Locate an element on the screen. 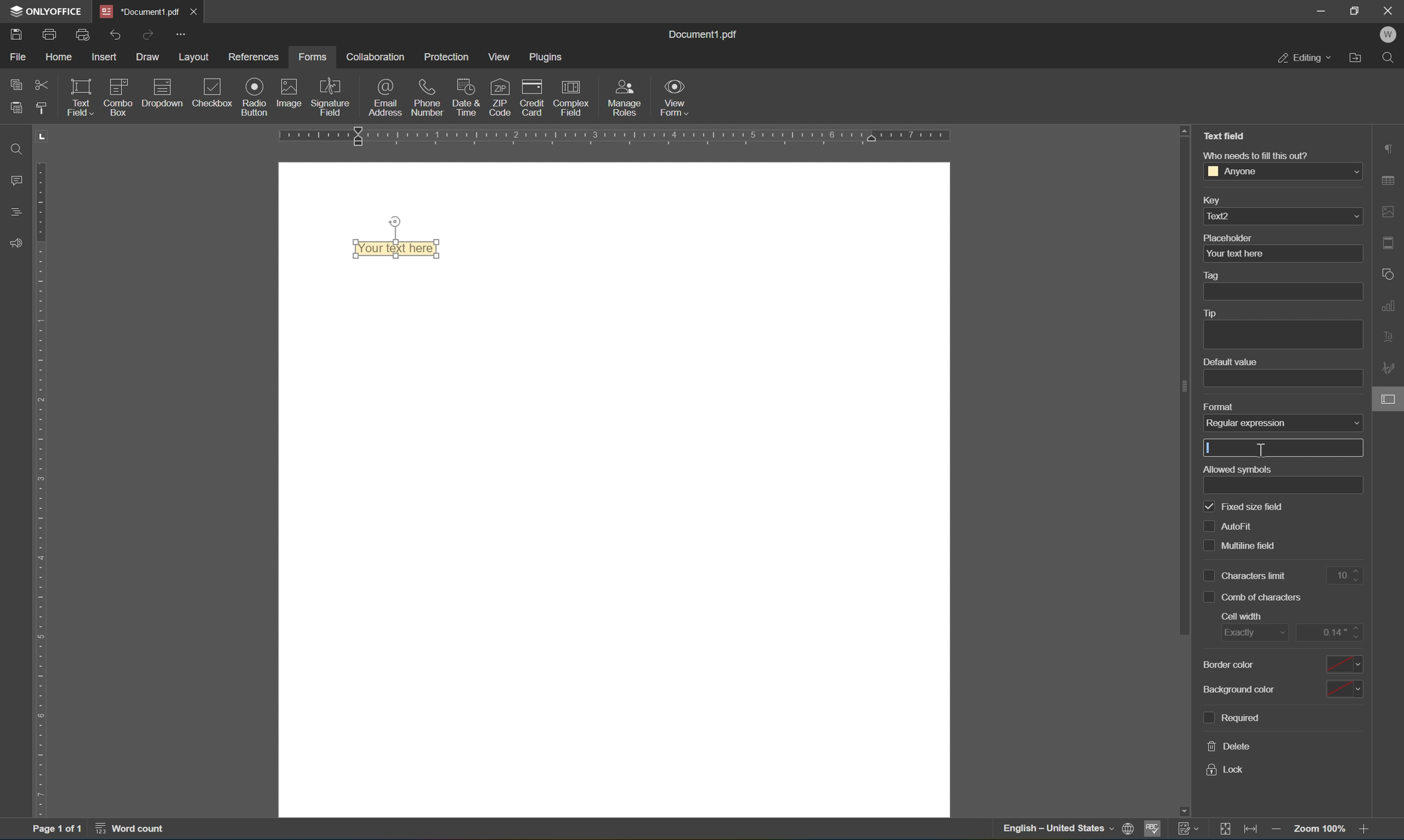 The image size is (1404, 840). text2 is located at coordinates (1281, 216).